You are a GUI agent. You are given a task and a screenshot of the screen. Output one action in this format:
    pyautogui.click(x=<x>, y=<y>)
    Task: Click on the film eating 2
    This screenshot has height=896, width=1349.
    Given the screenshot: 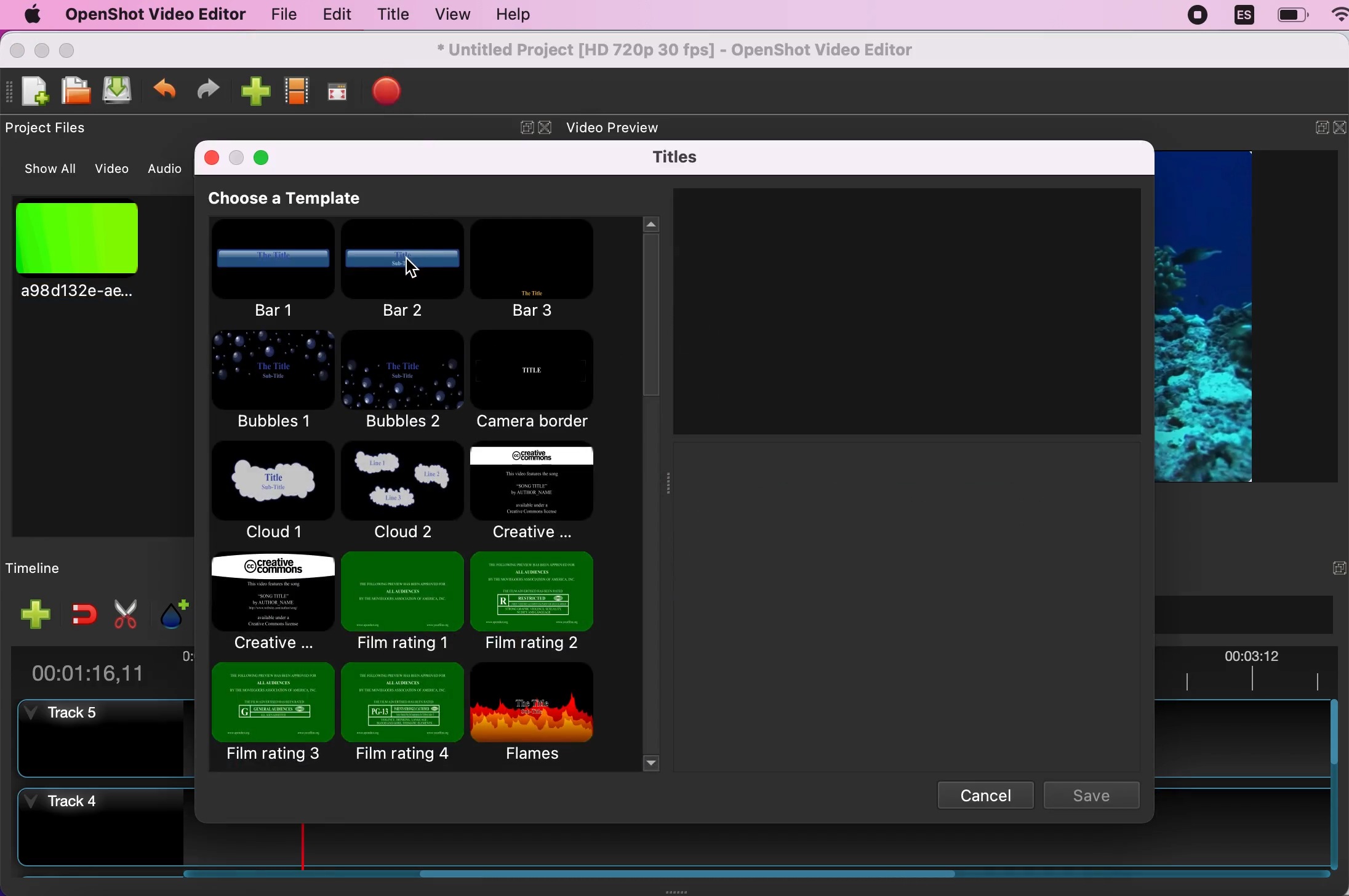 What is the action you would take?
    pyautogui.click(x=546, y=599)
    